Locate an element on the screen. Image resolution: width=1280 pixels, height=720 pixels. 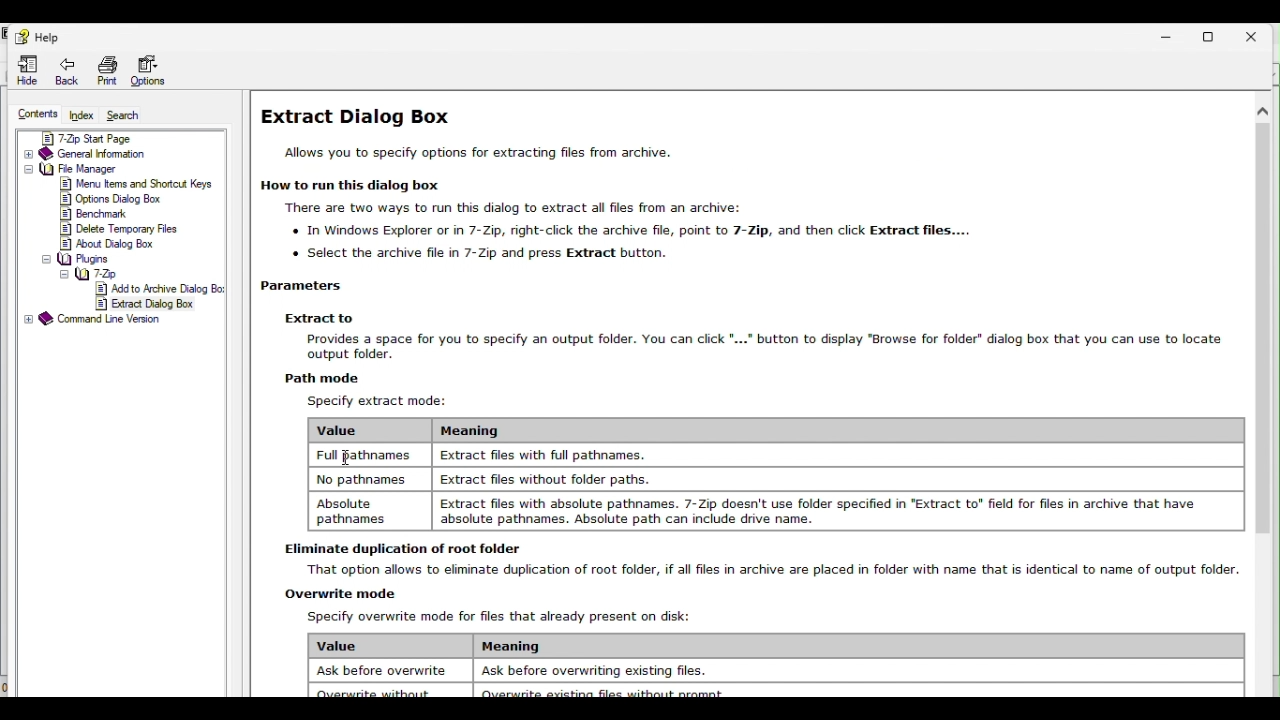
that option is located at coordinates (763, 571).